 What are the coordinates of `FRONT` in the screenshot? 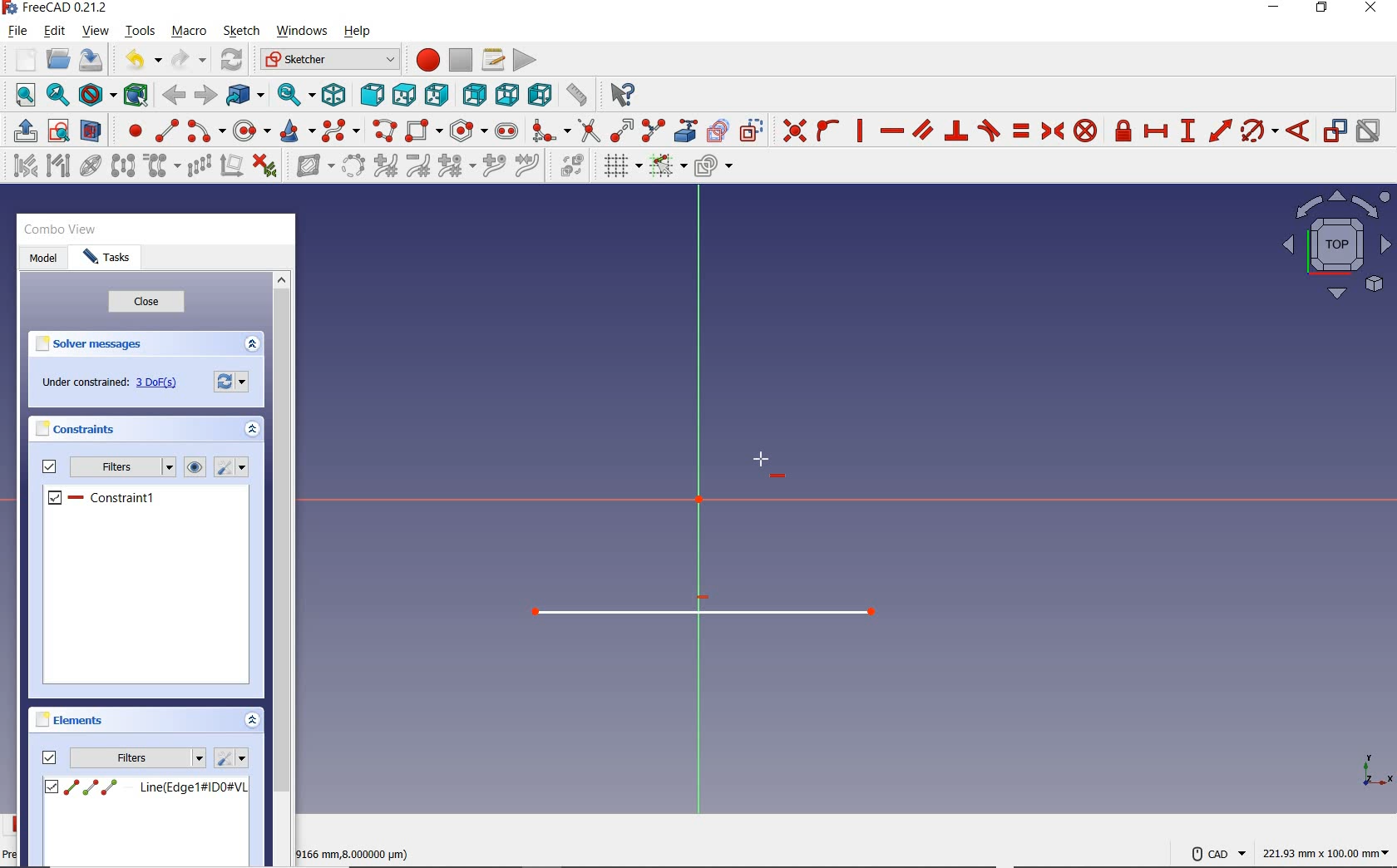 It's located at (373, 92).